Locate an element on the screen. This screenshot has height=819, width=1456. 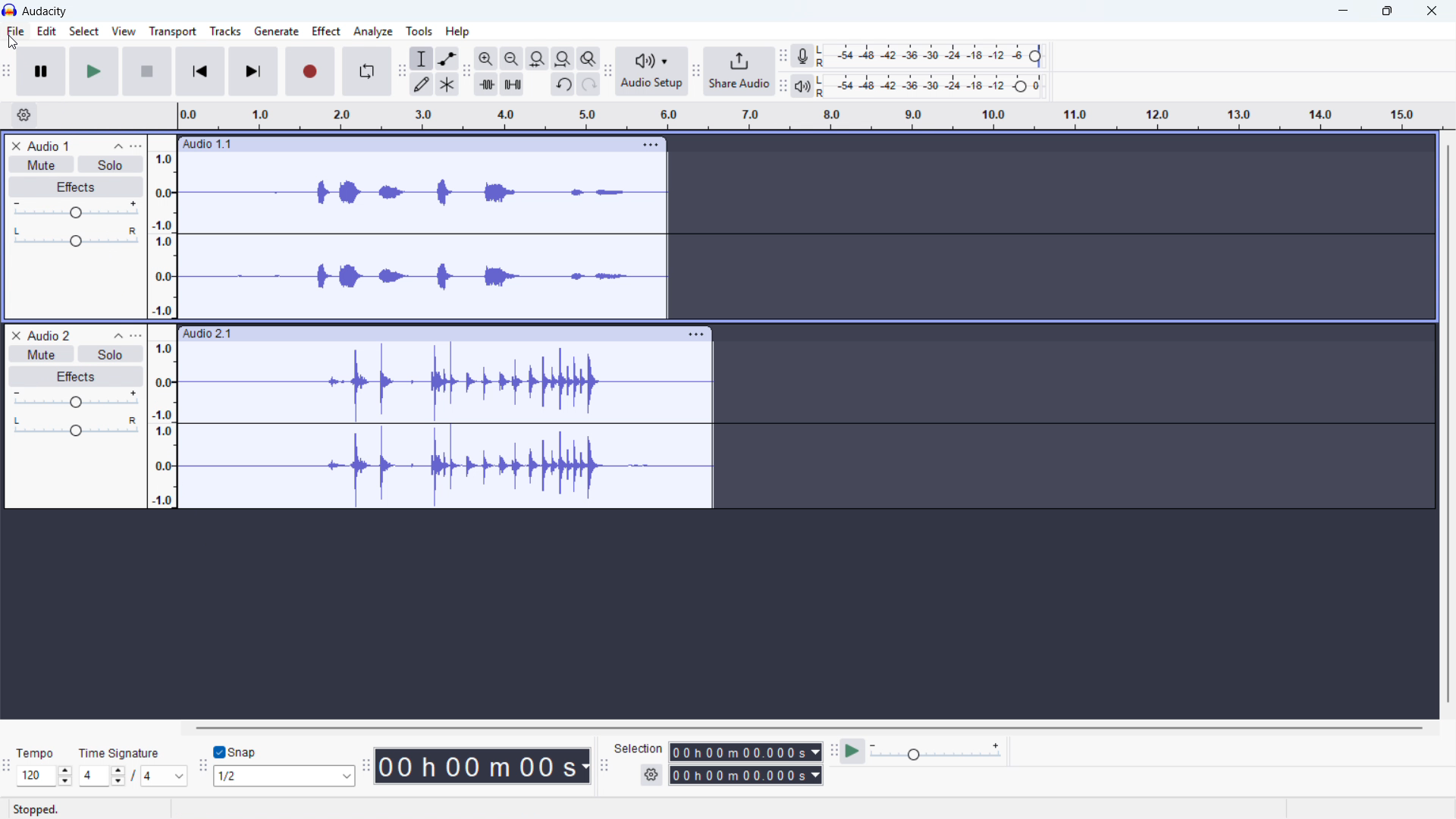
Fit selection to width is located at coordinates (536, 58).